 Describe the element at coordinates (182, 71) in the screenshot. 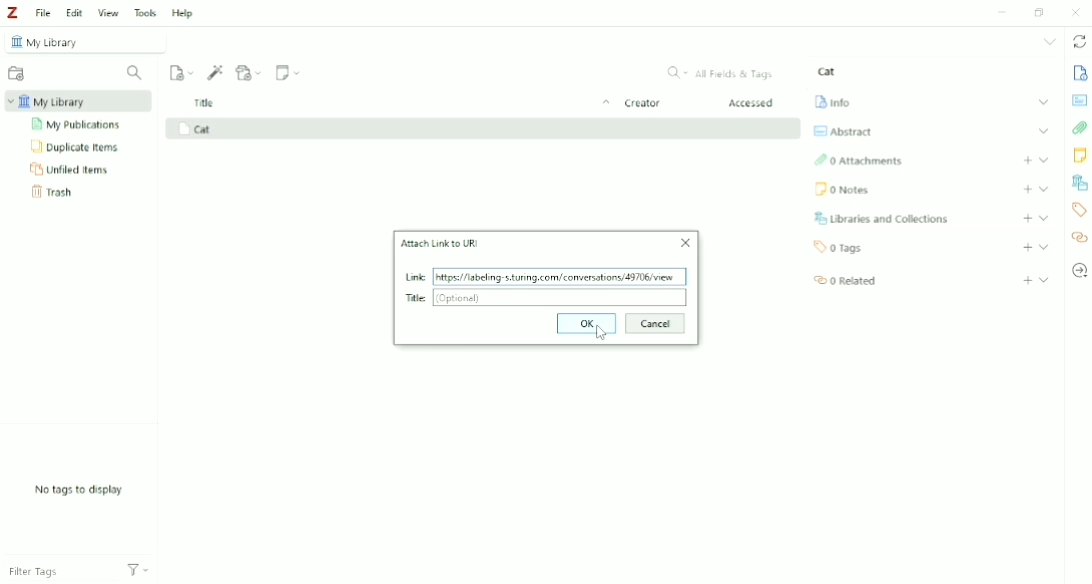

I see `New Item` at that location.